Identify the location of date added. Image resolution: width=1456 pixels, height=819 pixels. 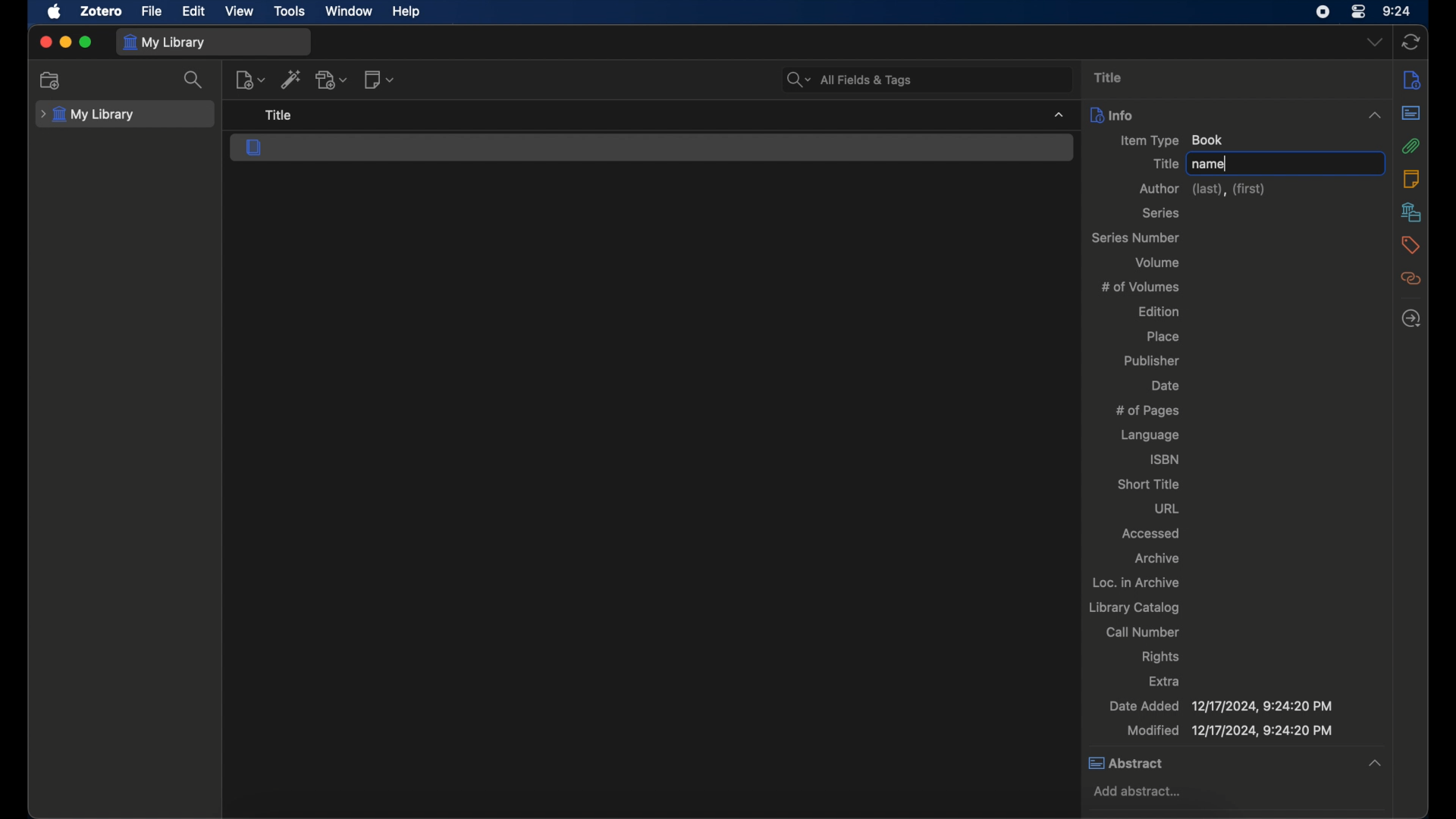
(1219, 706).